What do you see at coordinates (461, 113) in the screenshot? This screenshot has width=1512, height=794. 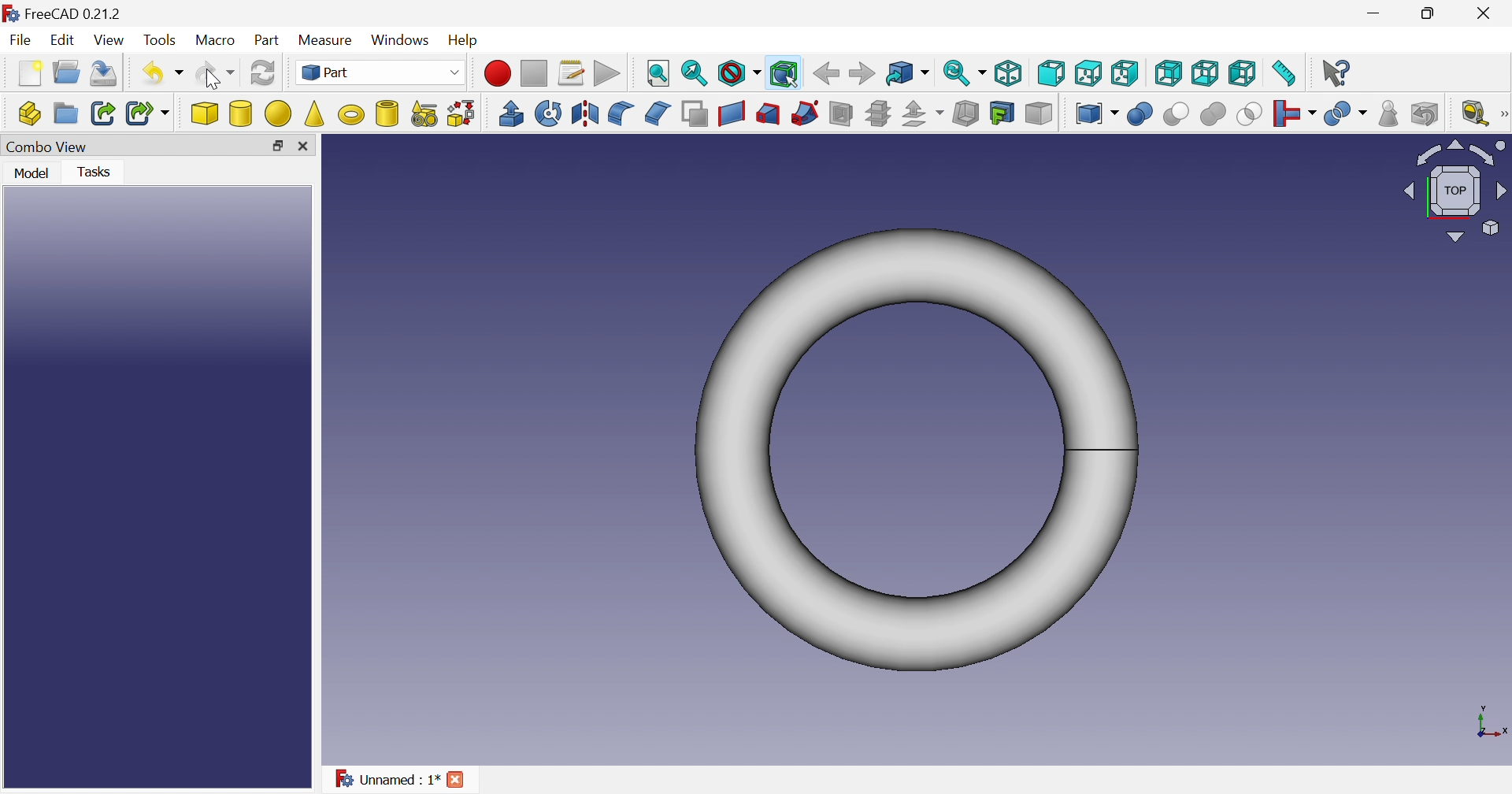 I see `Shape builder...` at bounding box center [461, 113].